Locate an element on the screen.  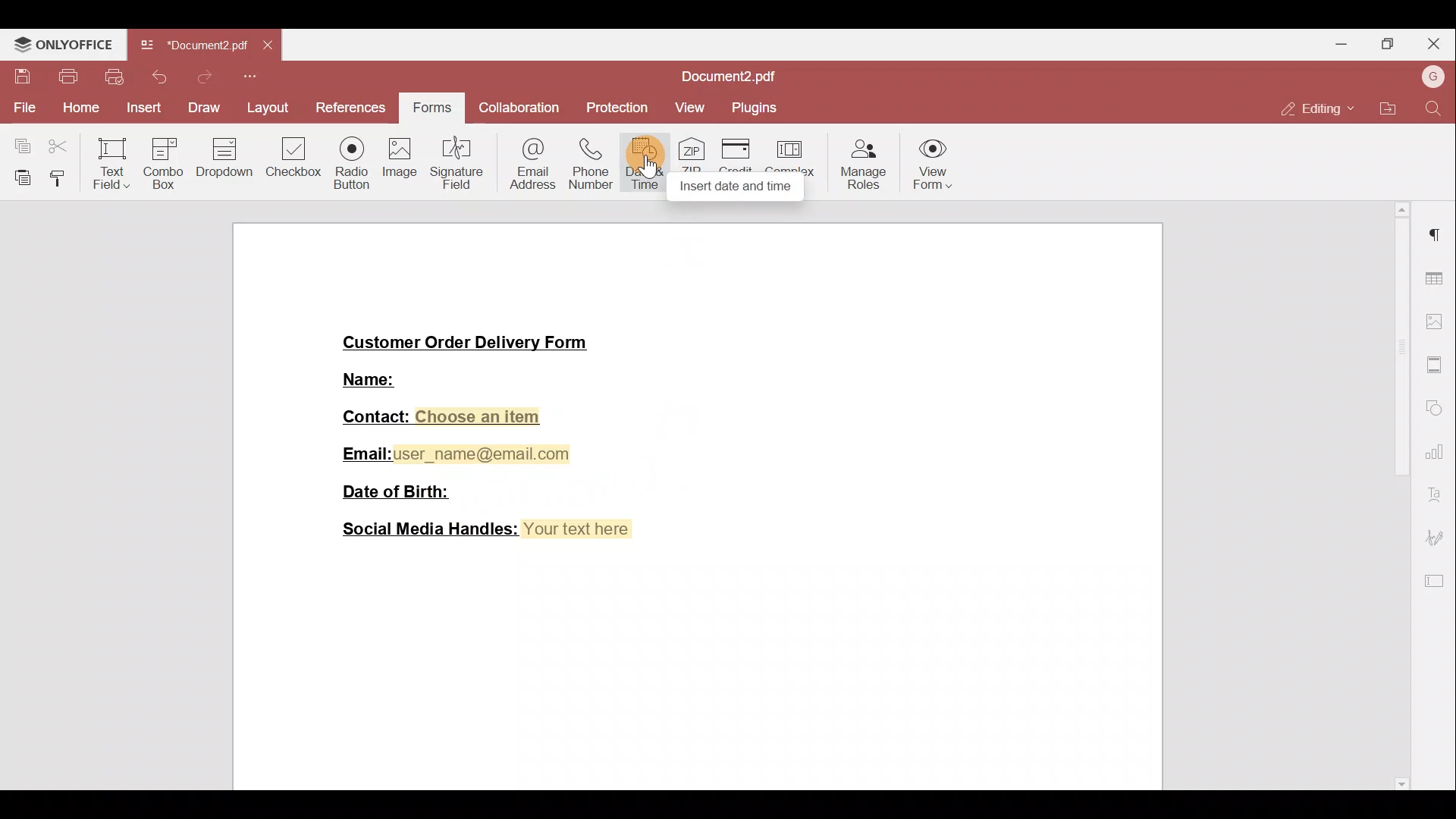
Table settings is located at coordinates (1438, 279).